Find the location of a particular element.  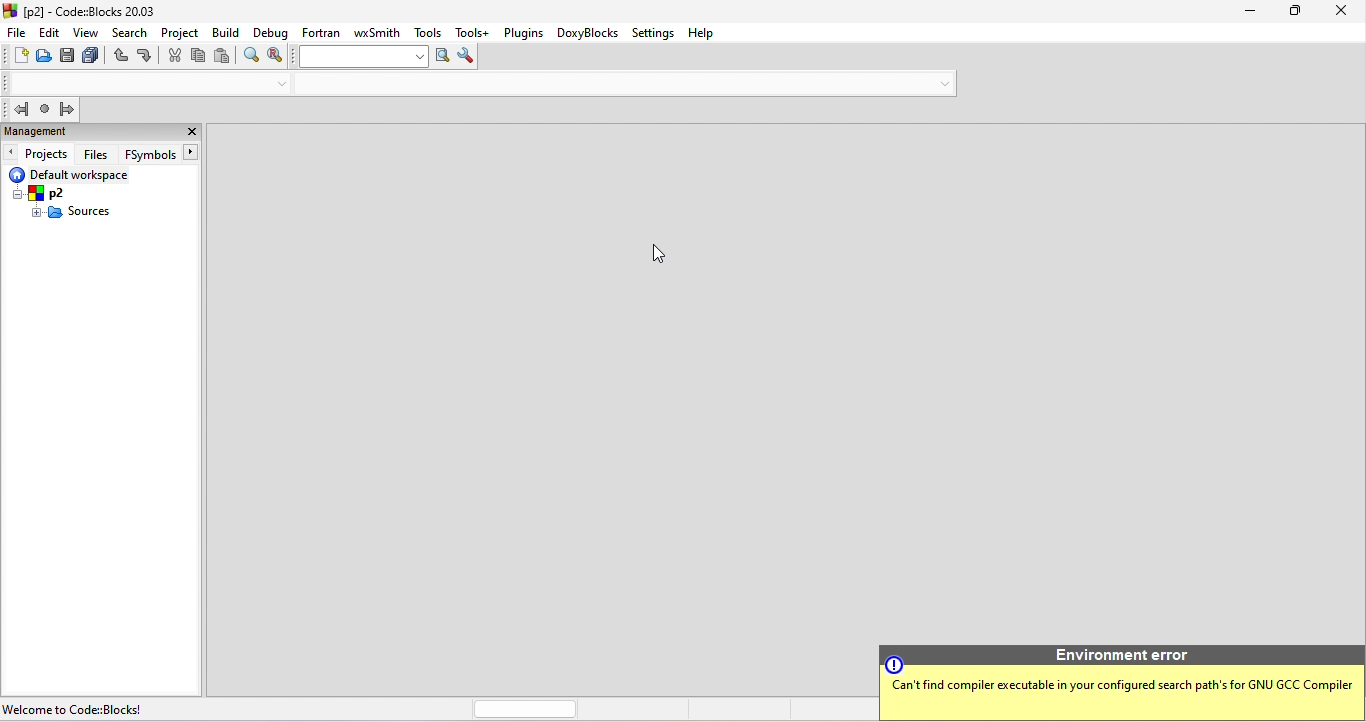

show option window is located at coordinates (467, 57).